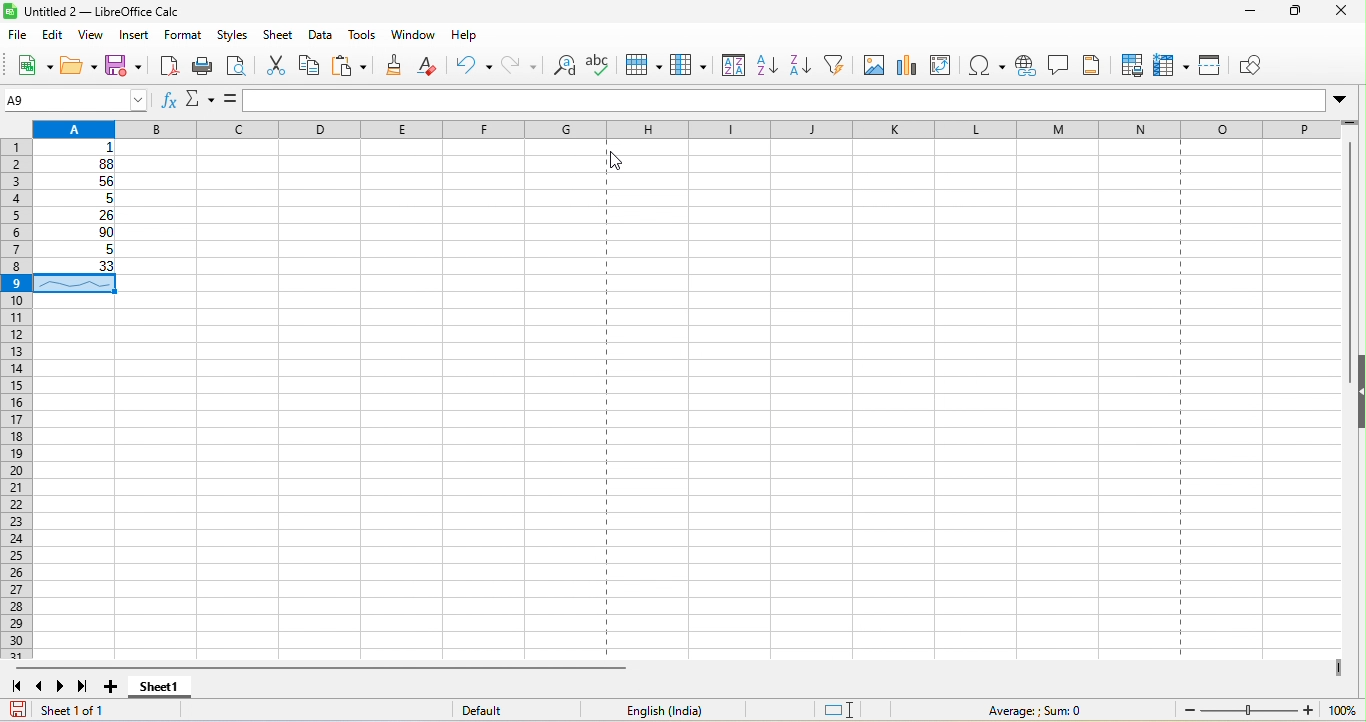 The width and height of the screenshot is (1366, 722). I want to click on copy, so click(309, 65).